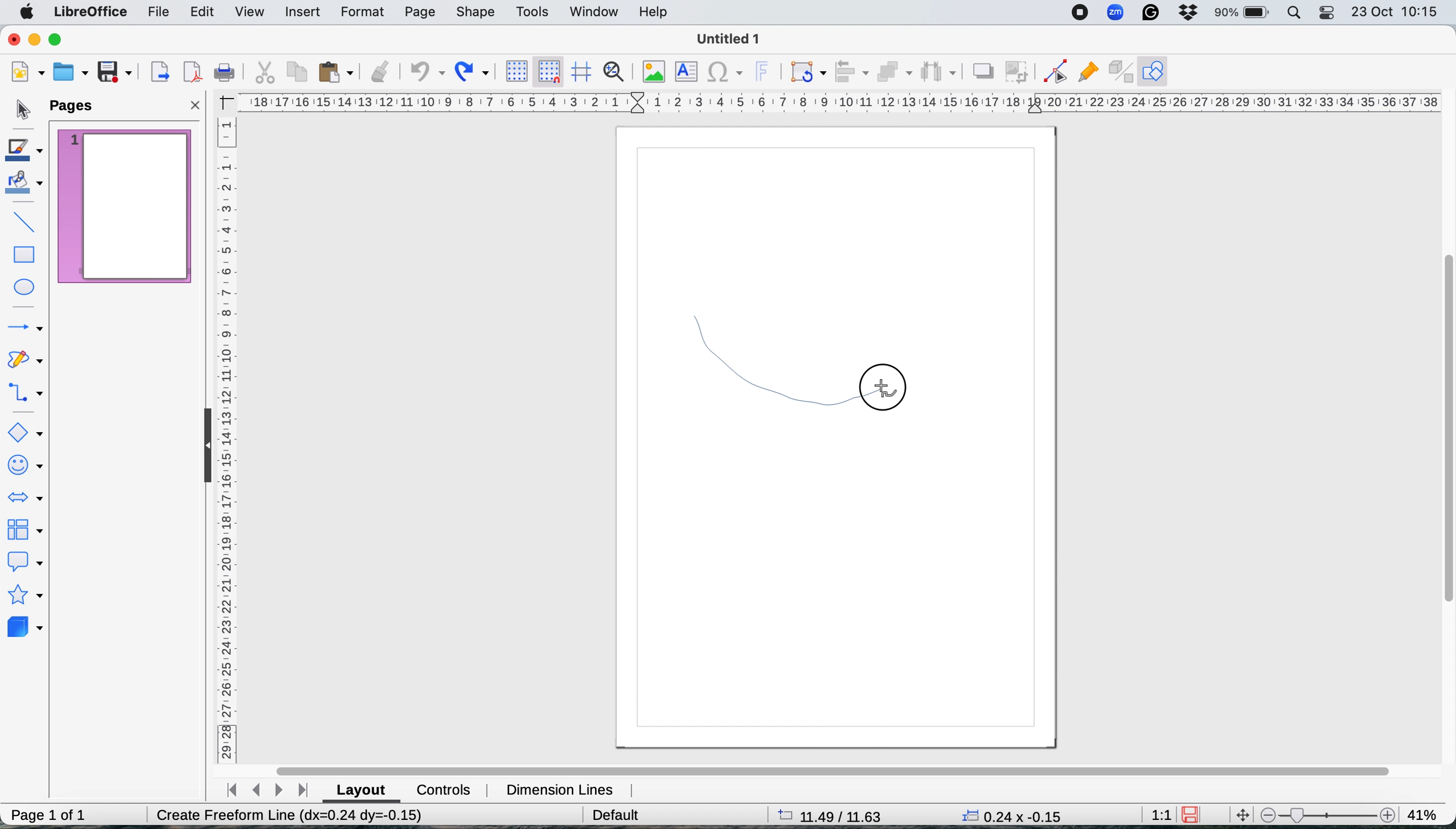  What do you see at coordinates (657, 73) in the screenshot?
I see `insert image` at bounding box center [657, 73].